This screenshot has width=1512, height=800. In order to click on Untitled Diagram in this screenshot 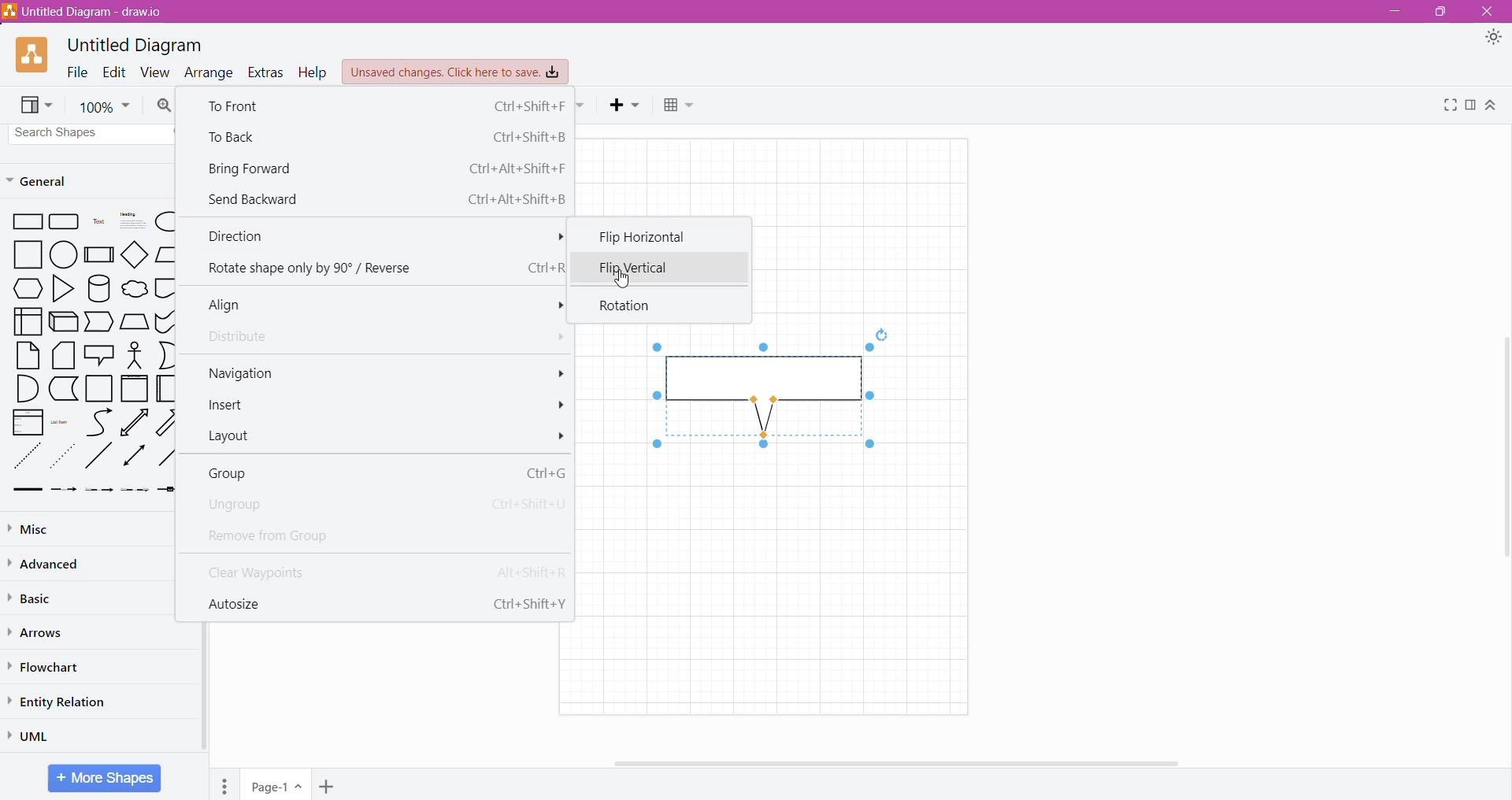, I will do `click(135, 46)`.